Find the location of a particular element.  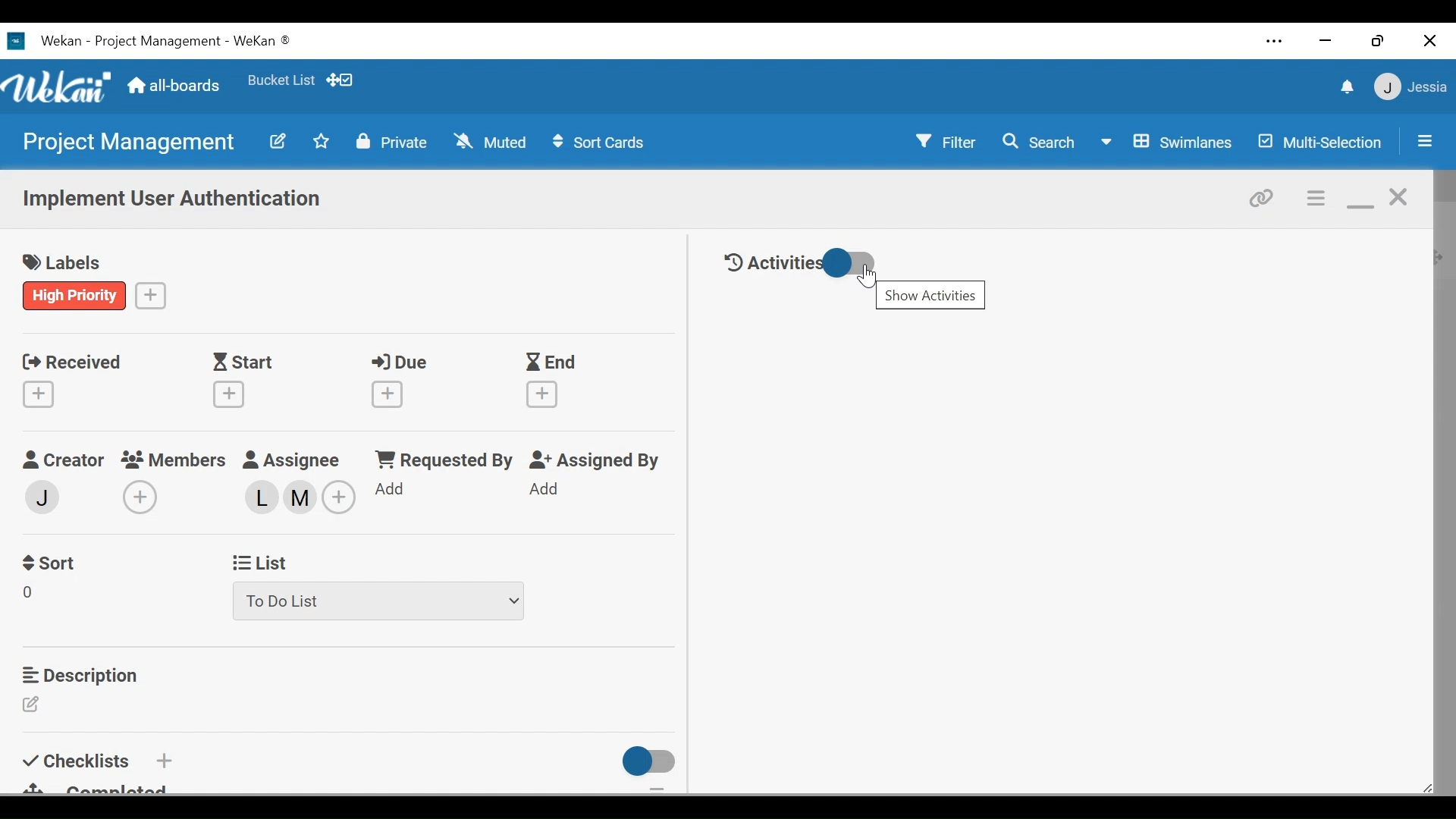

Show desktop drag handles is located at coordinates (342, 80).